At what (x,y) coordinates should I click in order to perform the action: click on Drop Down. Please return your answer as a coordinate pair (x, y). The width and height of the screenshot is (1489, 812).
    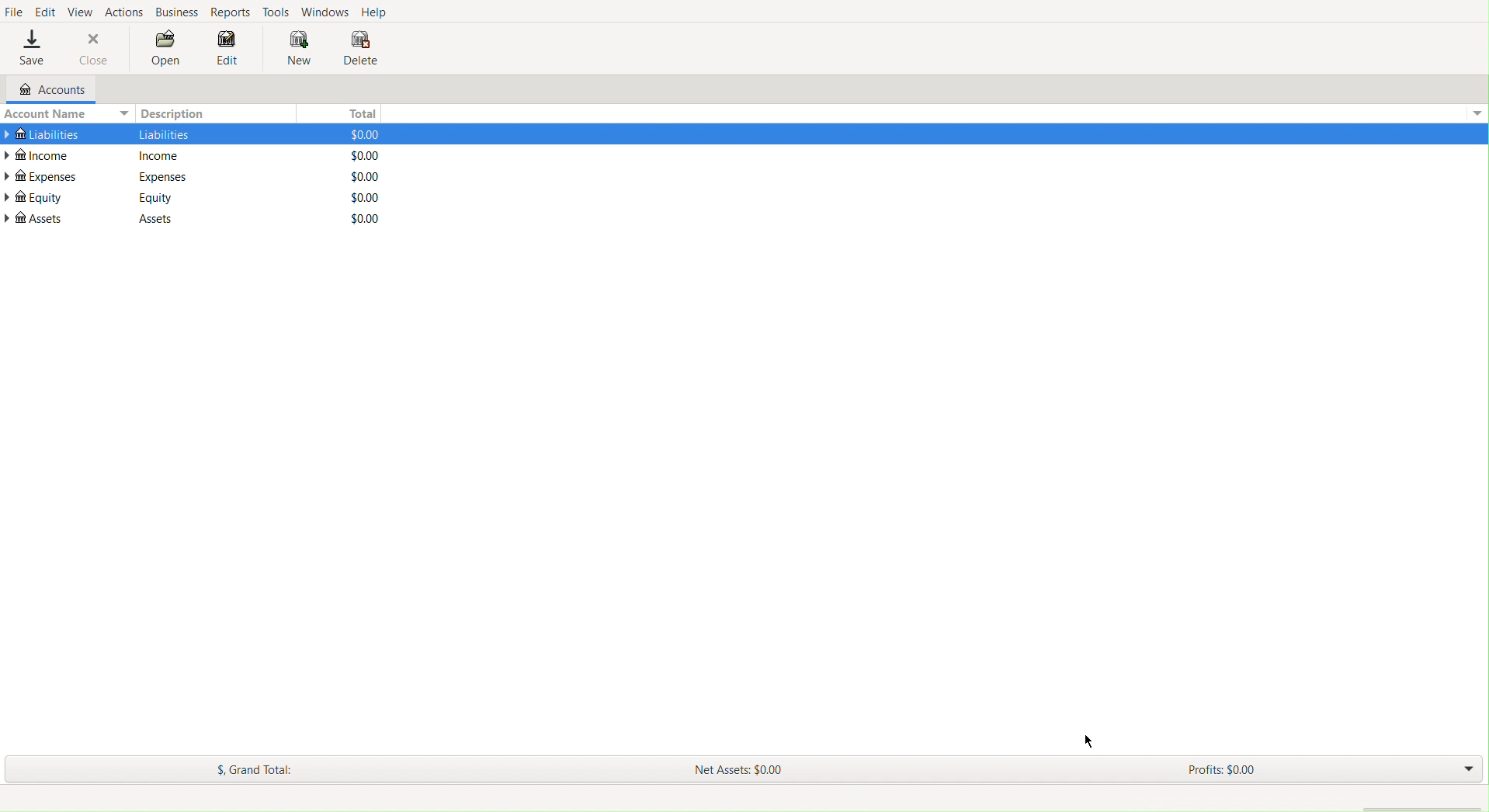
    Looking at the image, I should click on (1466, 769).